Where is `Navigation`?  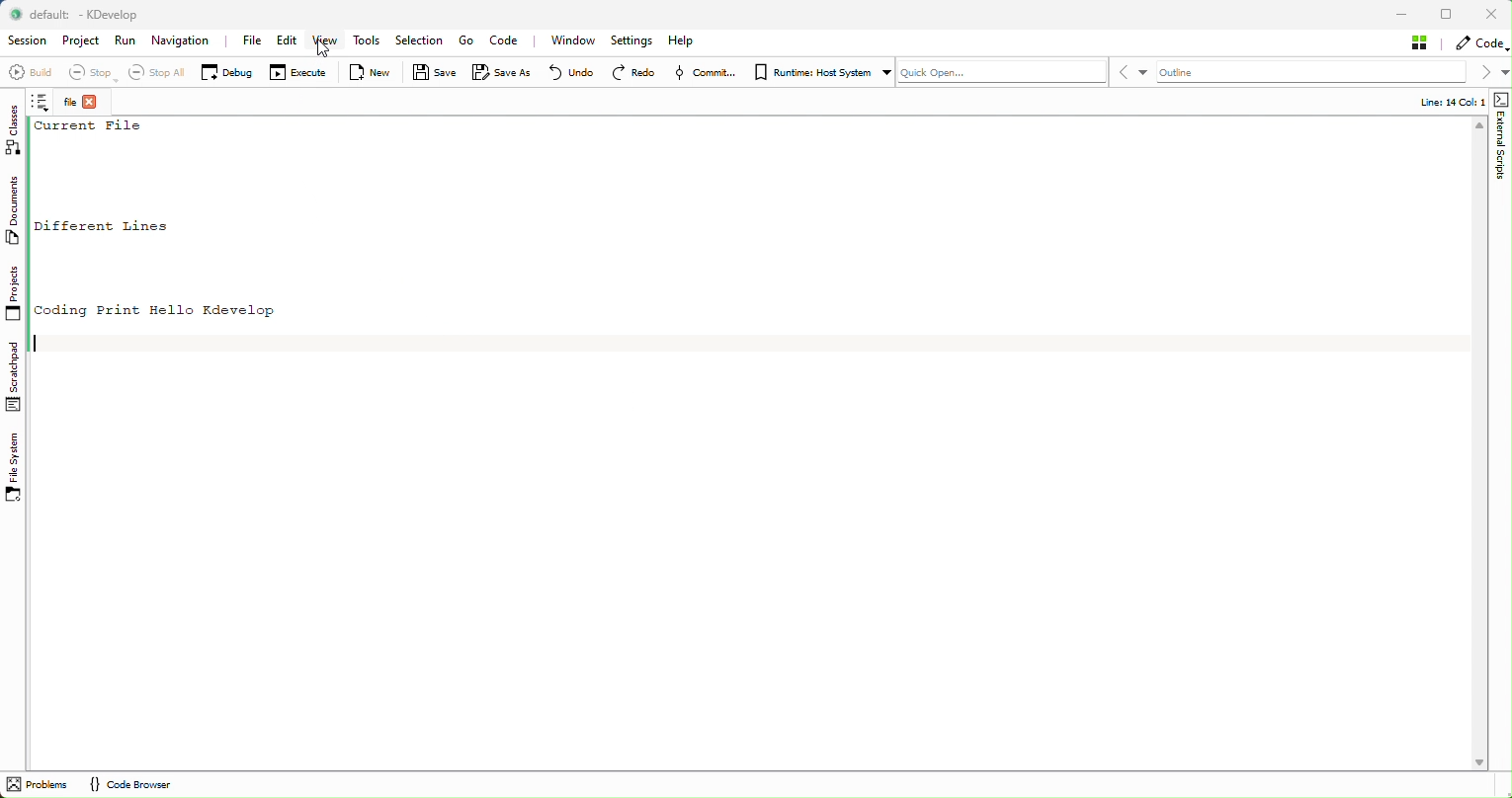
Navigation is located at coordinates (184, 41).